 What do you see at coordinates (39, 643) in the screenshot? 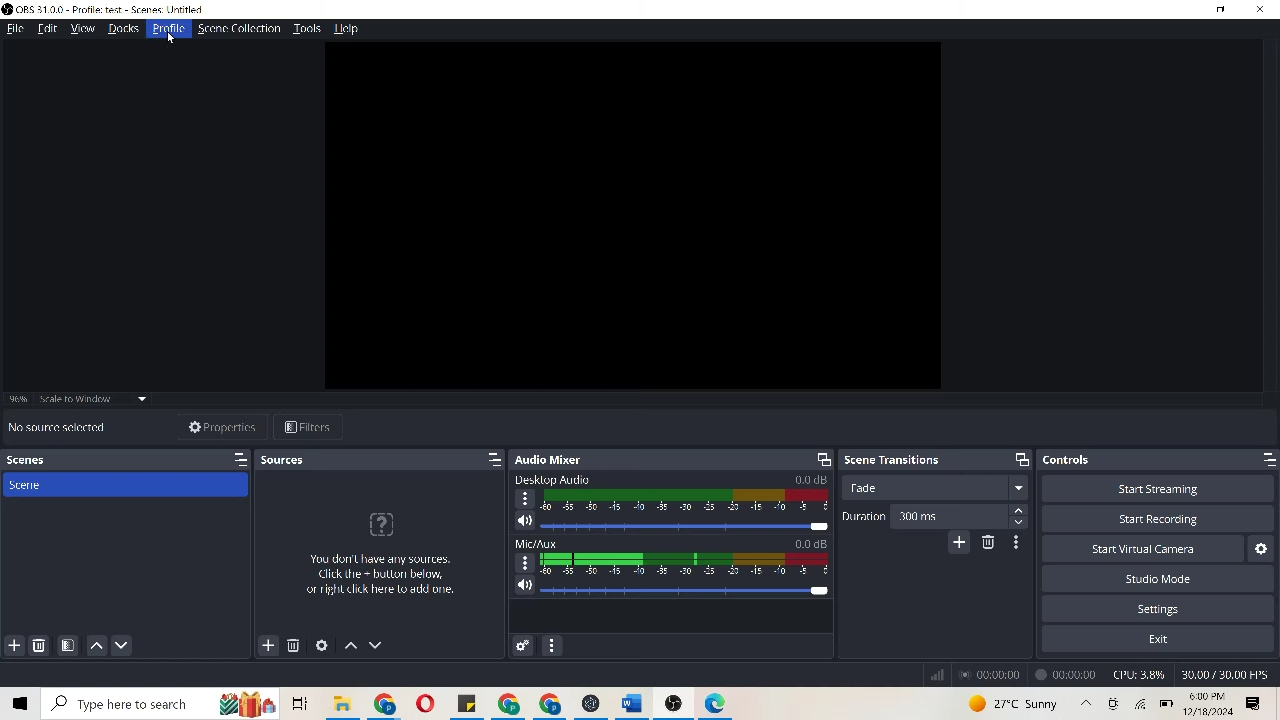
I see `remove` at bounding box center [39, 643].